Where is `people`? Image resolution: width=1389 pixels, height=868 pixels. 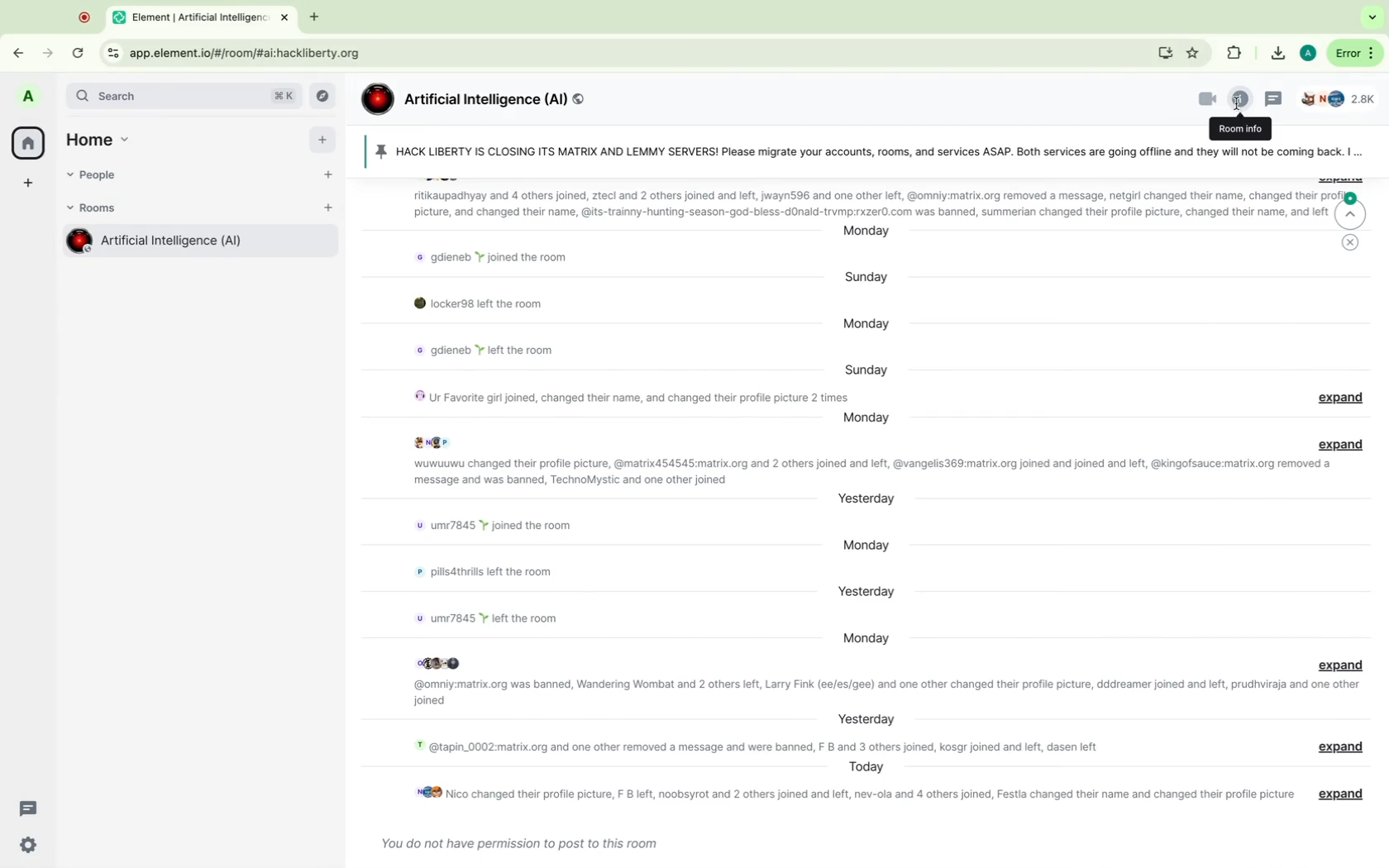 people is located at coordinates (98, 176).